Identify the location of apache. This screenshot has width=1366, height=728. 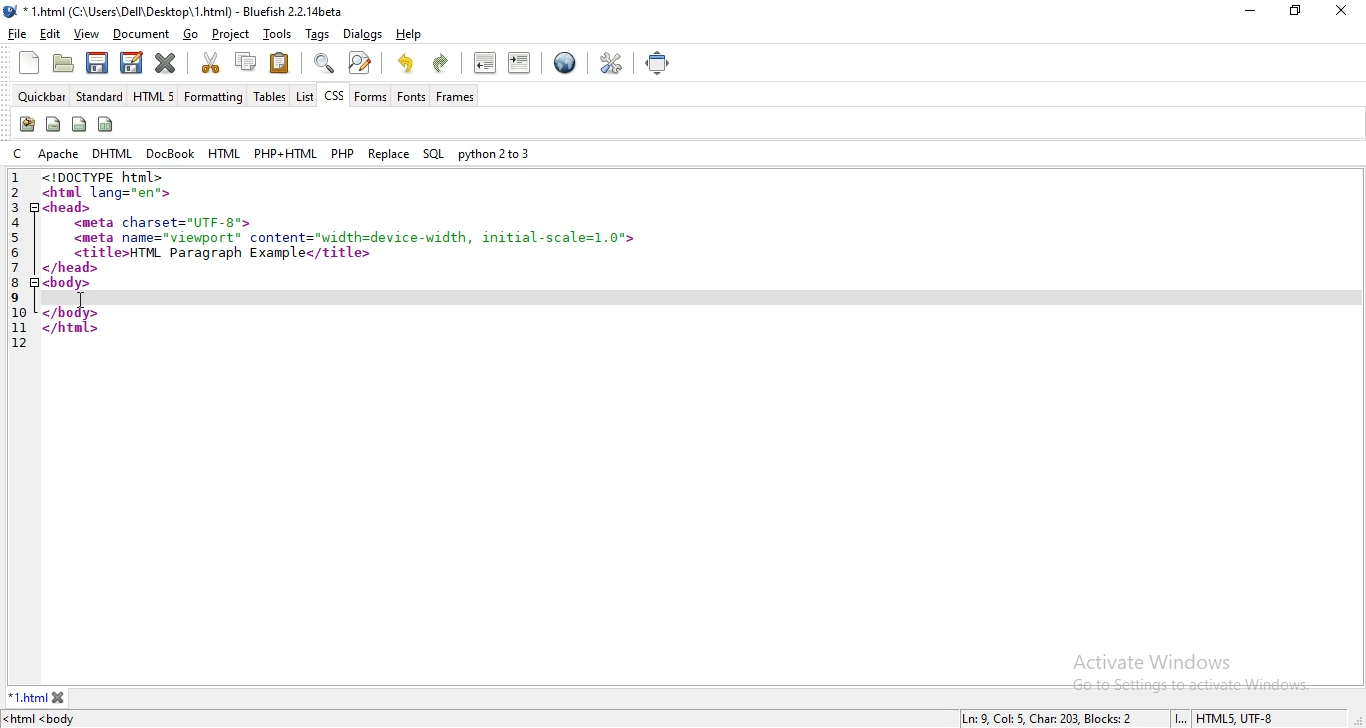
(58, 153).